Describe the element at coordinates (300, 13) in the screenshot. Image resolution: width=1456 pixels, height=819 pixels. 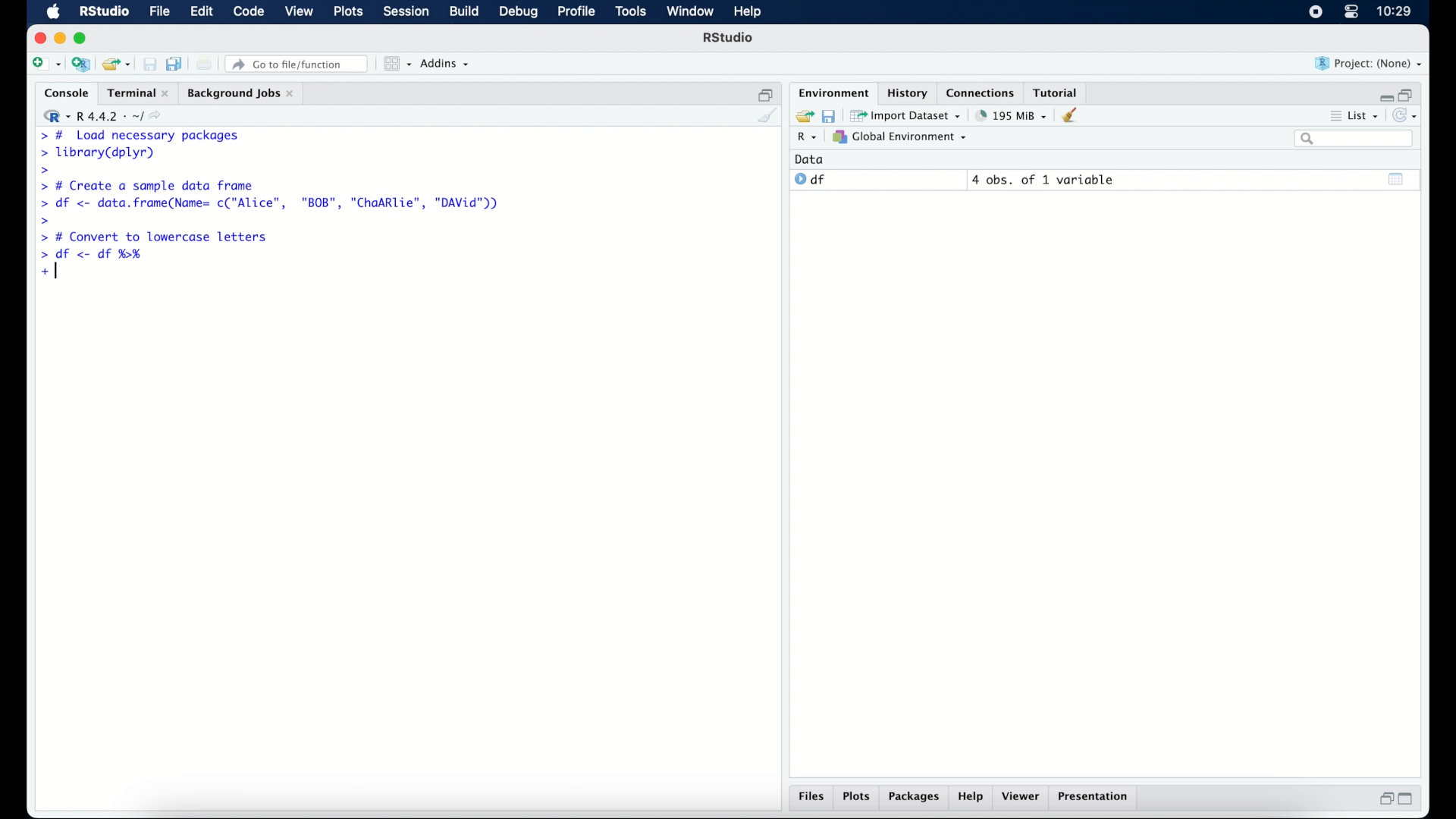
I see `view` at that location.